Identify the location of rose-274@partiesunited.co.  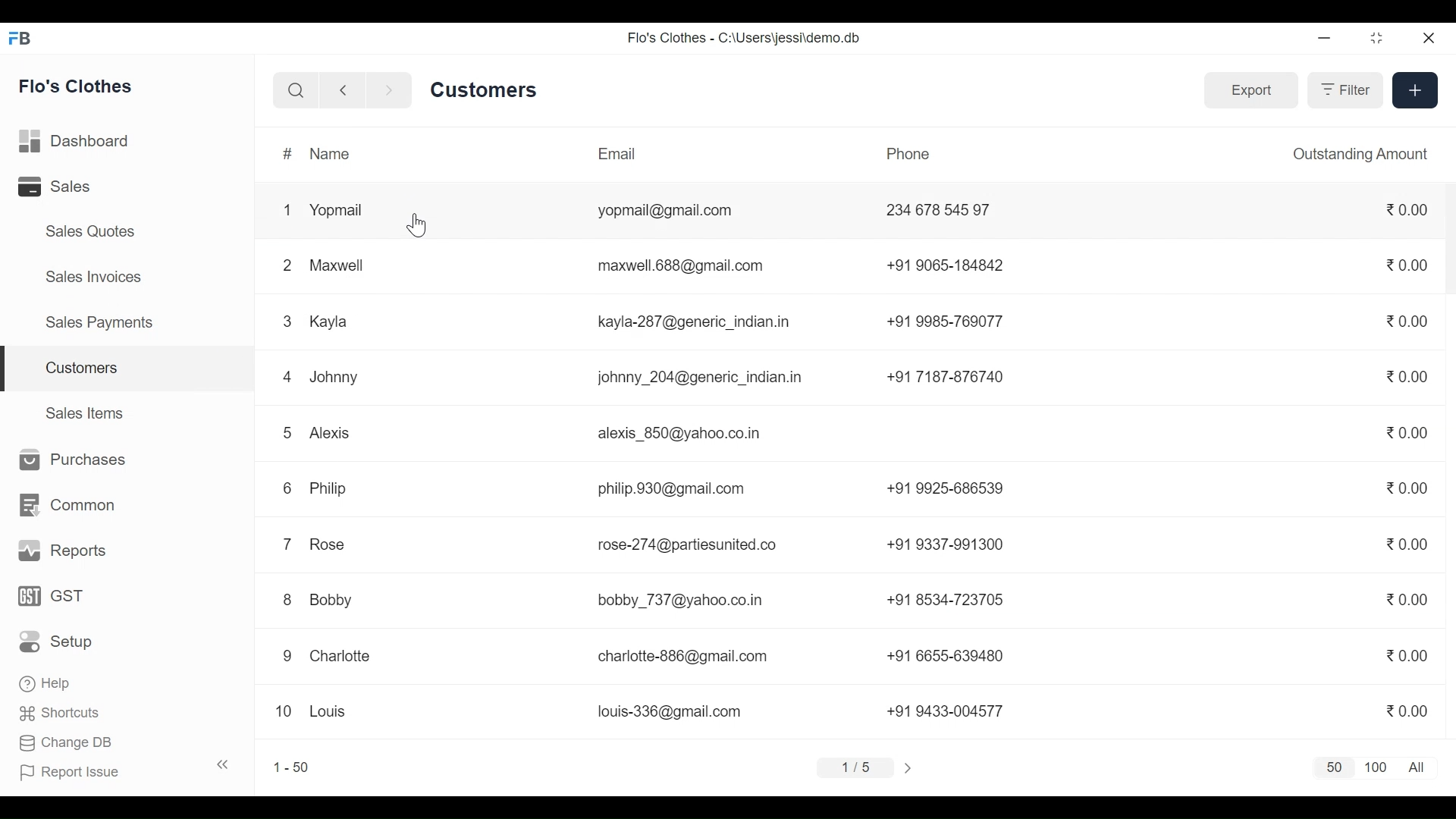
(694, 545).